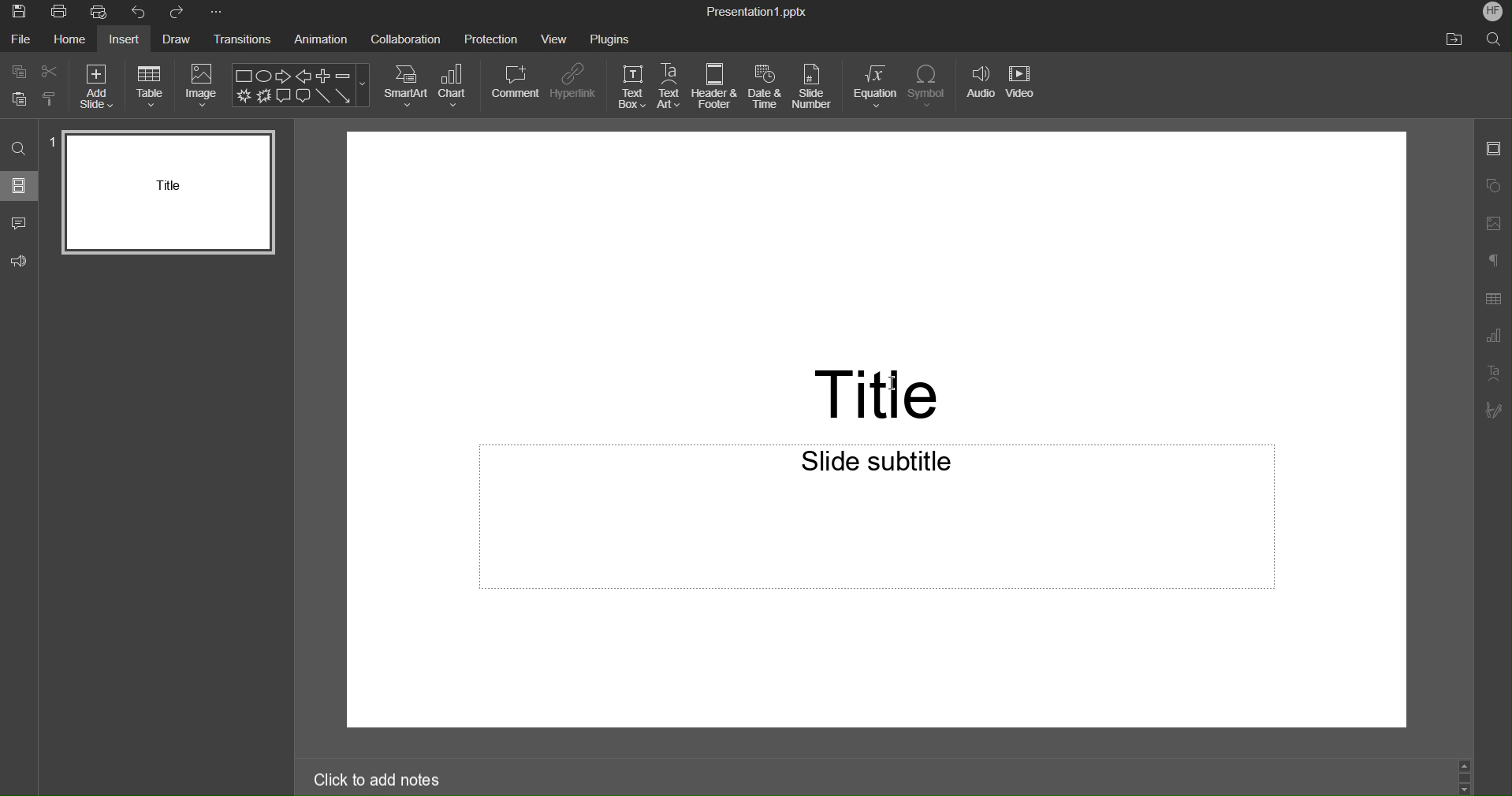 The width and height of the screenshot is (1512, 796). Describe the element at coordinates (813, 88) in the screenshot. I see `Slide Number` at that location.